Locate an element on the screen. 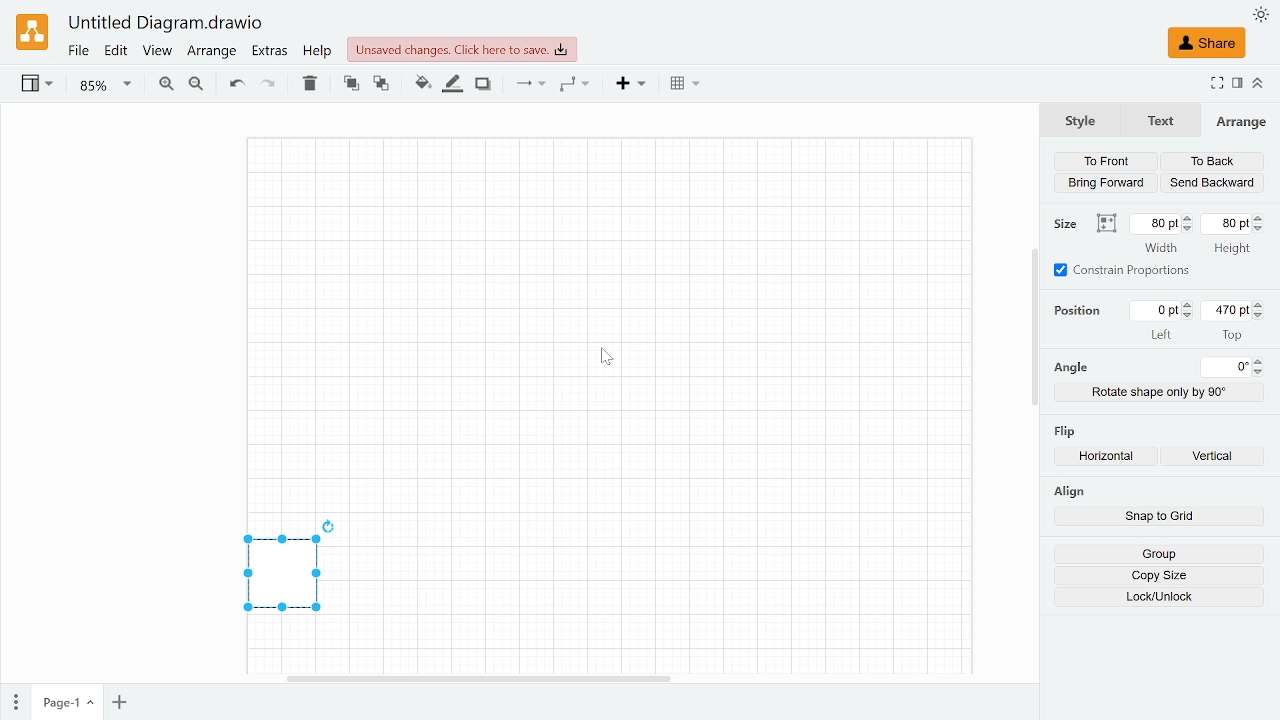 This screenshot has height=720, width=1280. Lock/Unlock is located at coordinates (1160, 597).